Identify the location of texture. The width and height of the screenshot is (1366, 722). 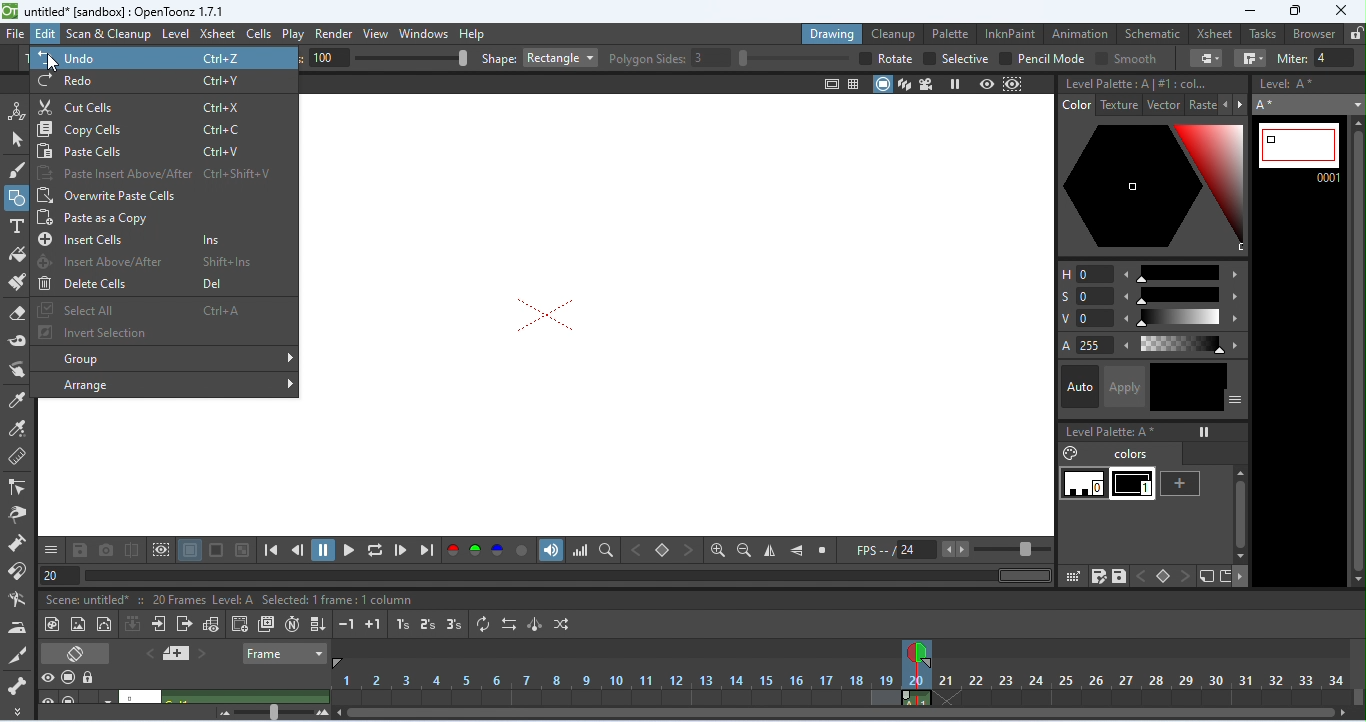
(1121, 106).